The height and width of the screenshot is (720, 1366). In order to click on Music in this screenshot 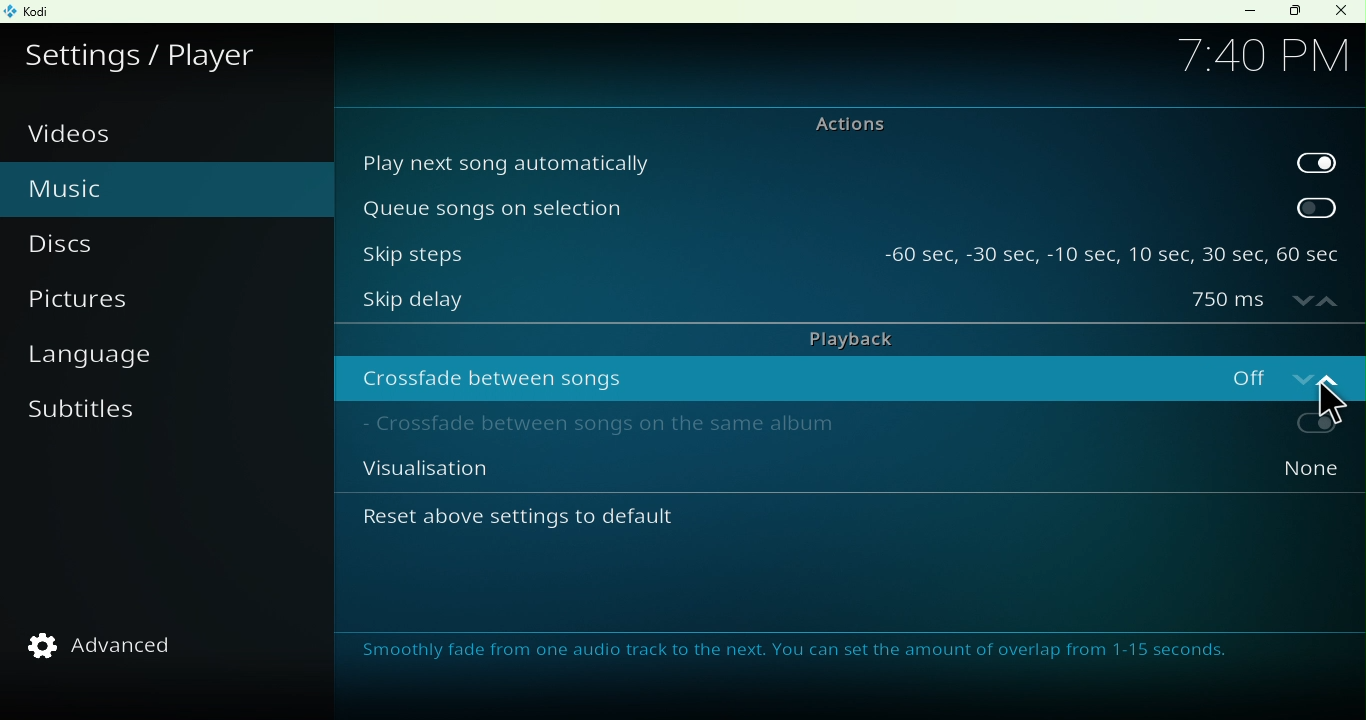, I will do `click(112, 186)`.